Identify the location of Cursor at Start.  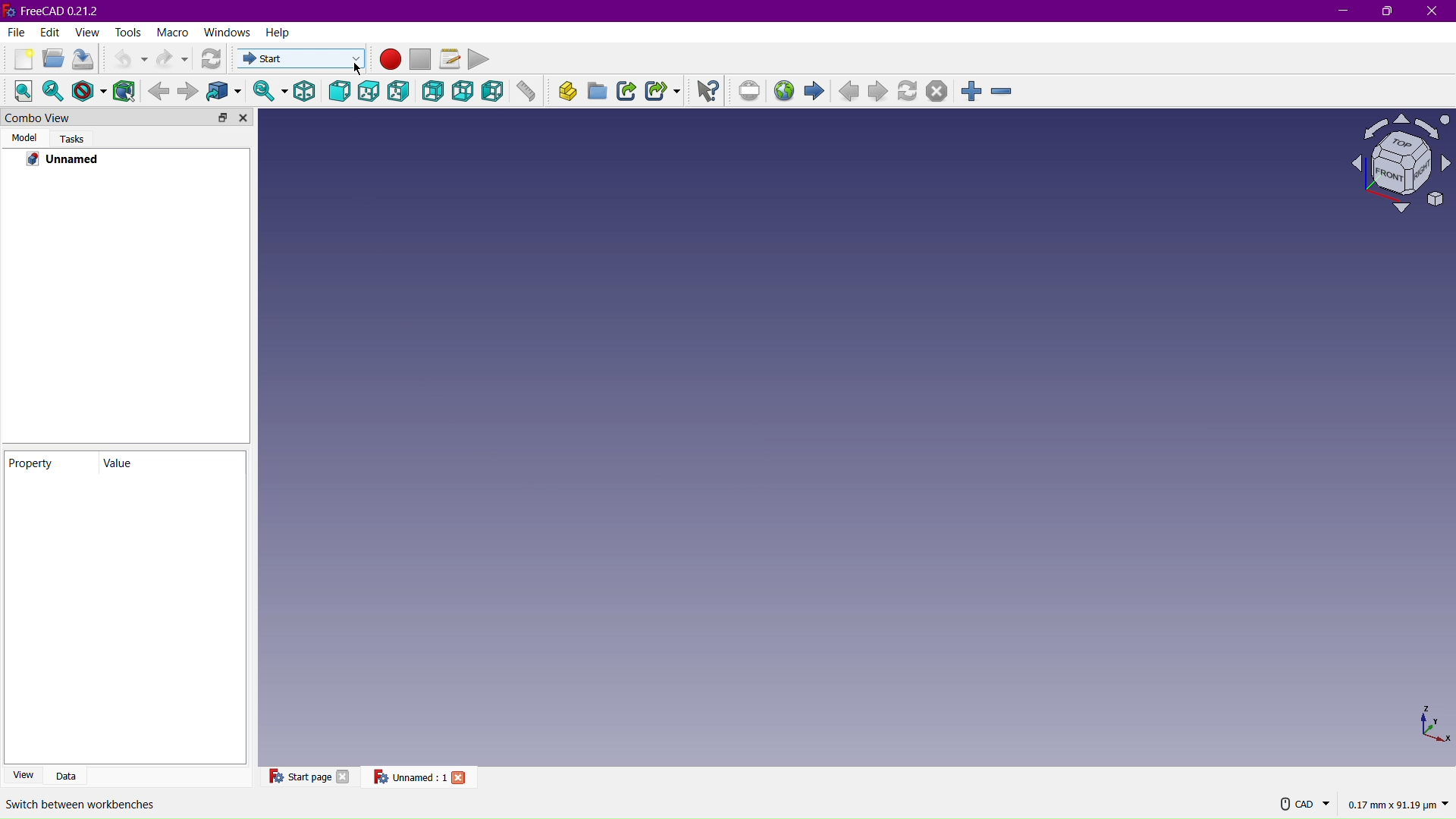
(354, 67).